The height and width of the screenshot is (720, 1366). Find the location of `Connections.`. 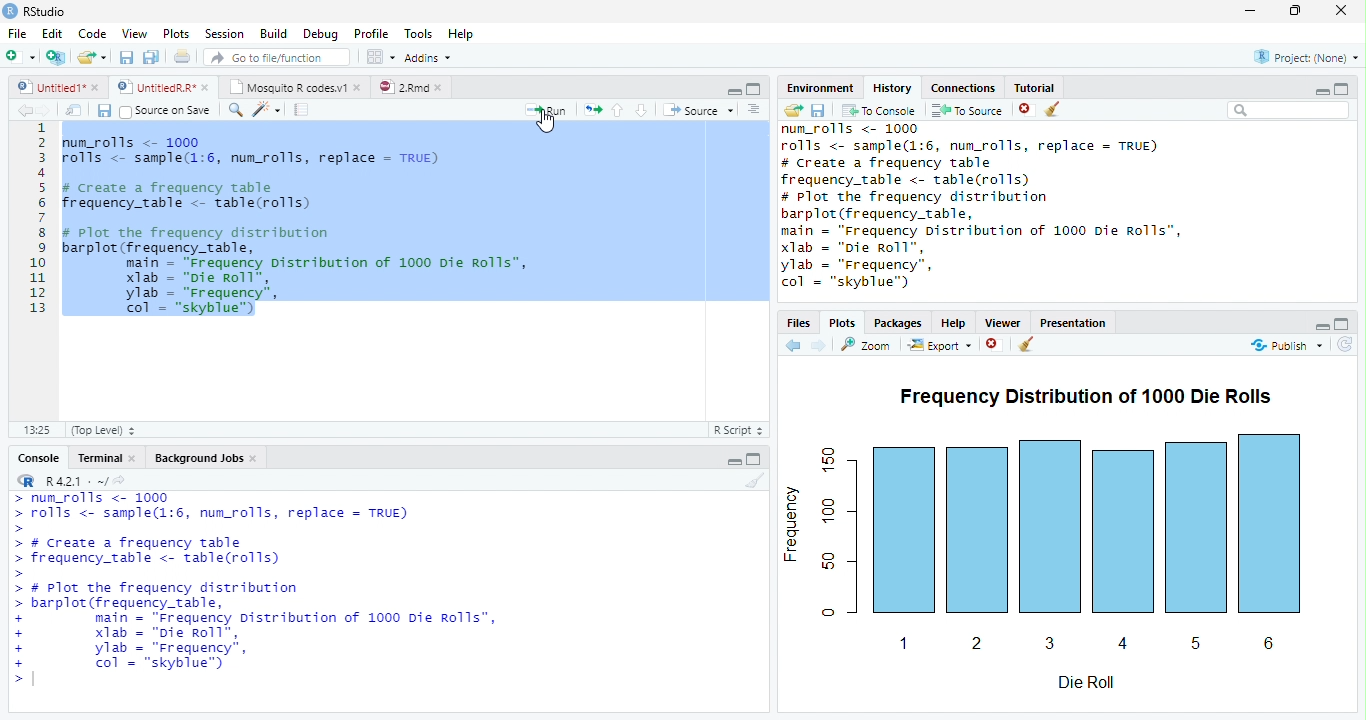

Connections. is located at coordinates (963, 87).